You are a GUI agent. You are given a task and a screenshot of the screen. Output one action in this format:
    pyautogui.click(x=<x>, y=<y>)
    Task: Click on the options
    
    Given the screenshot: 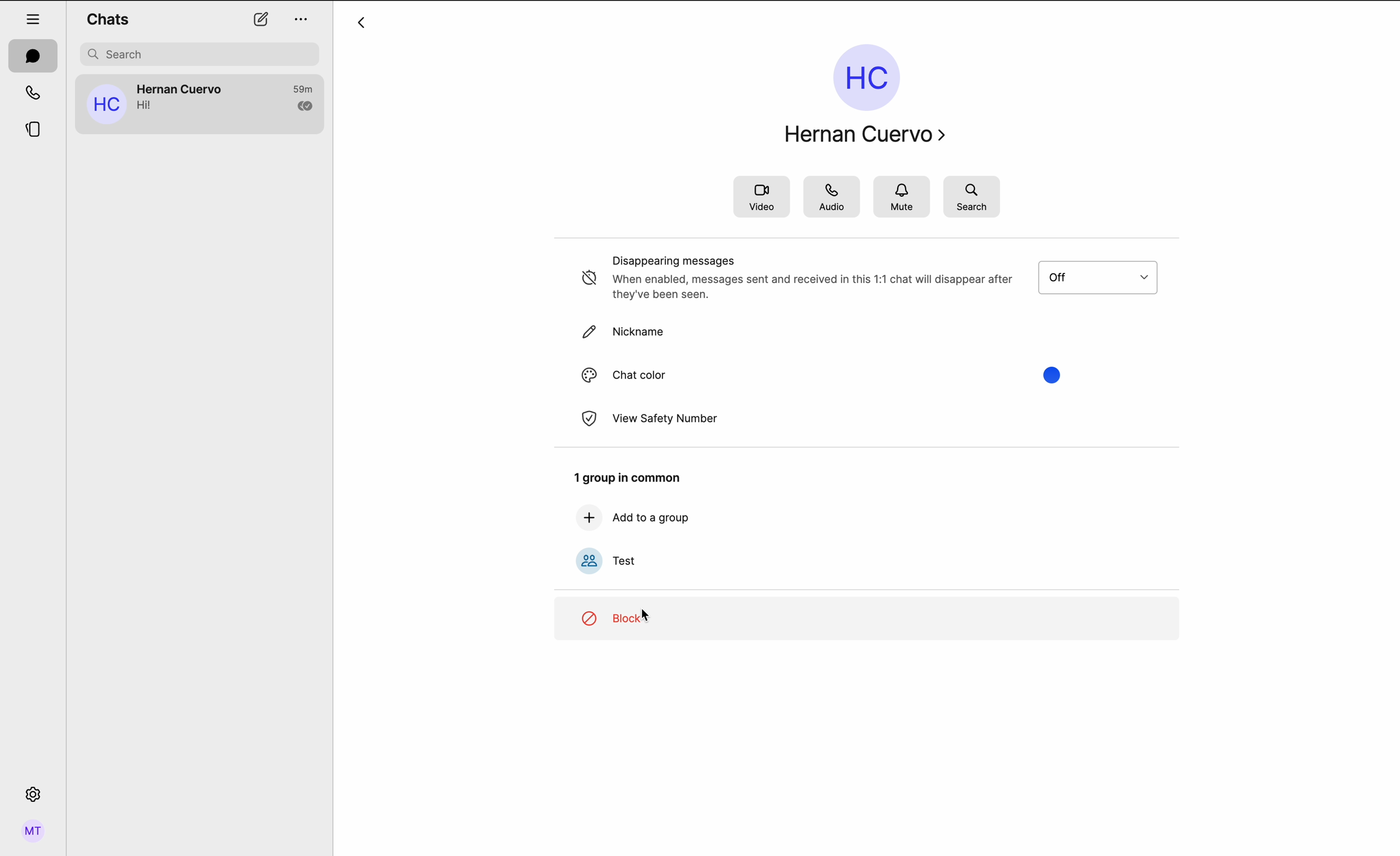 What is the action you would take?
    pyautogui.click(x=300, y=21)
    